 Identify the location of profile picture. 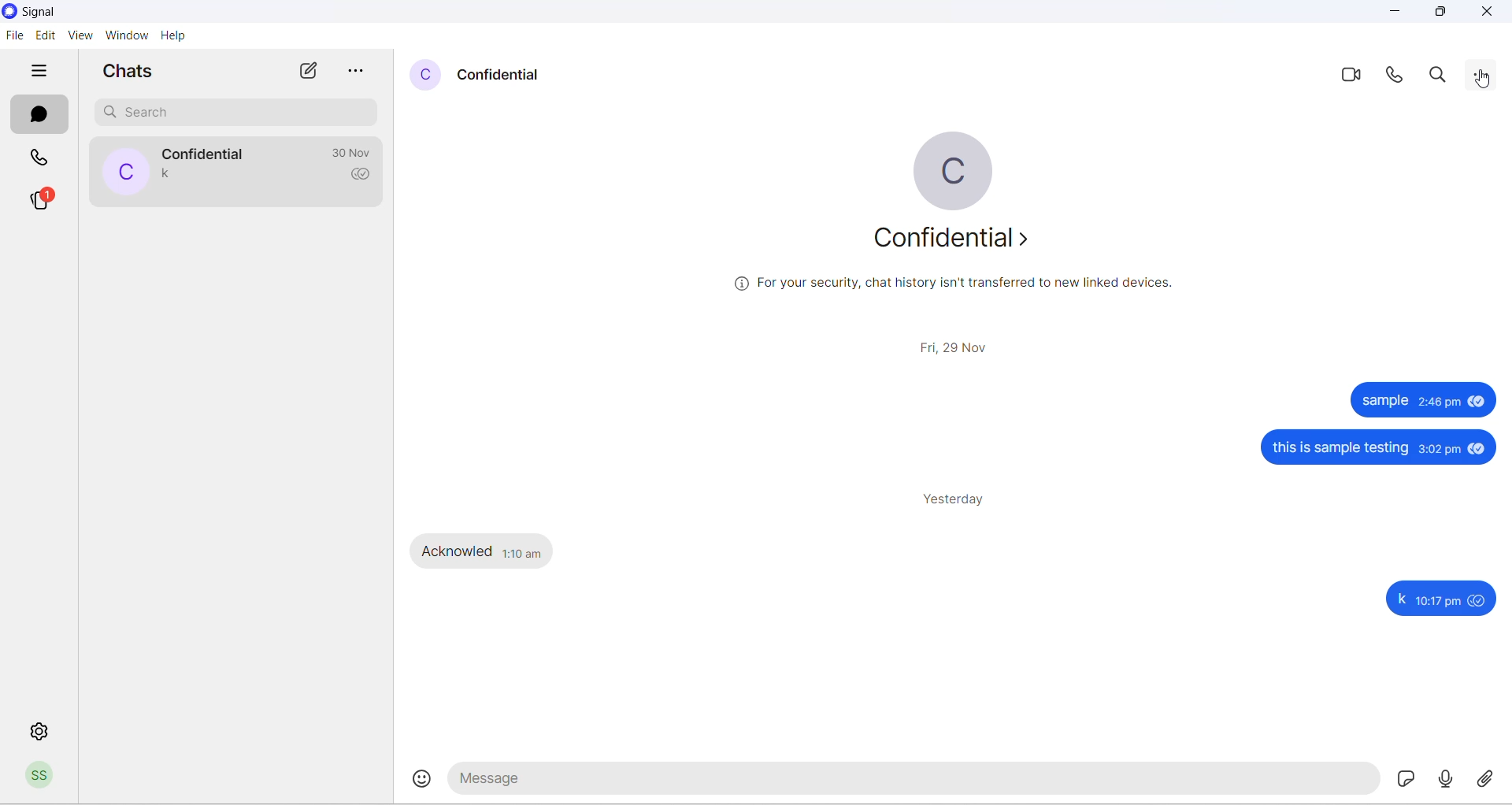
(426, 77).